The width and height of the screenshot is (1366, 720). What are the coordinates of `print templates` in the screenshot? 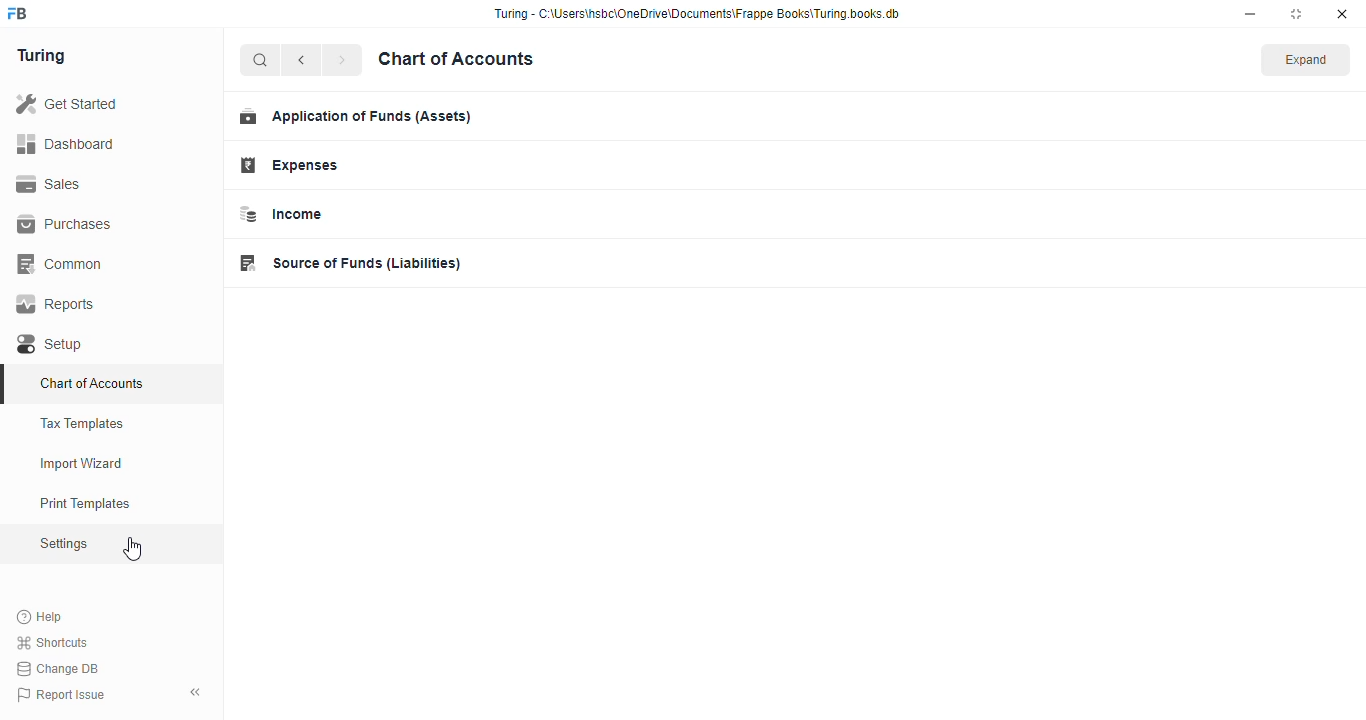 It's located at (85, 503).